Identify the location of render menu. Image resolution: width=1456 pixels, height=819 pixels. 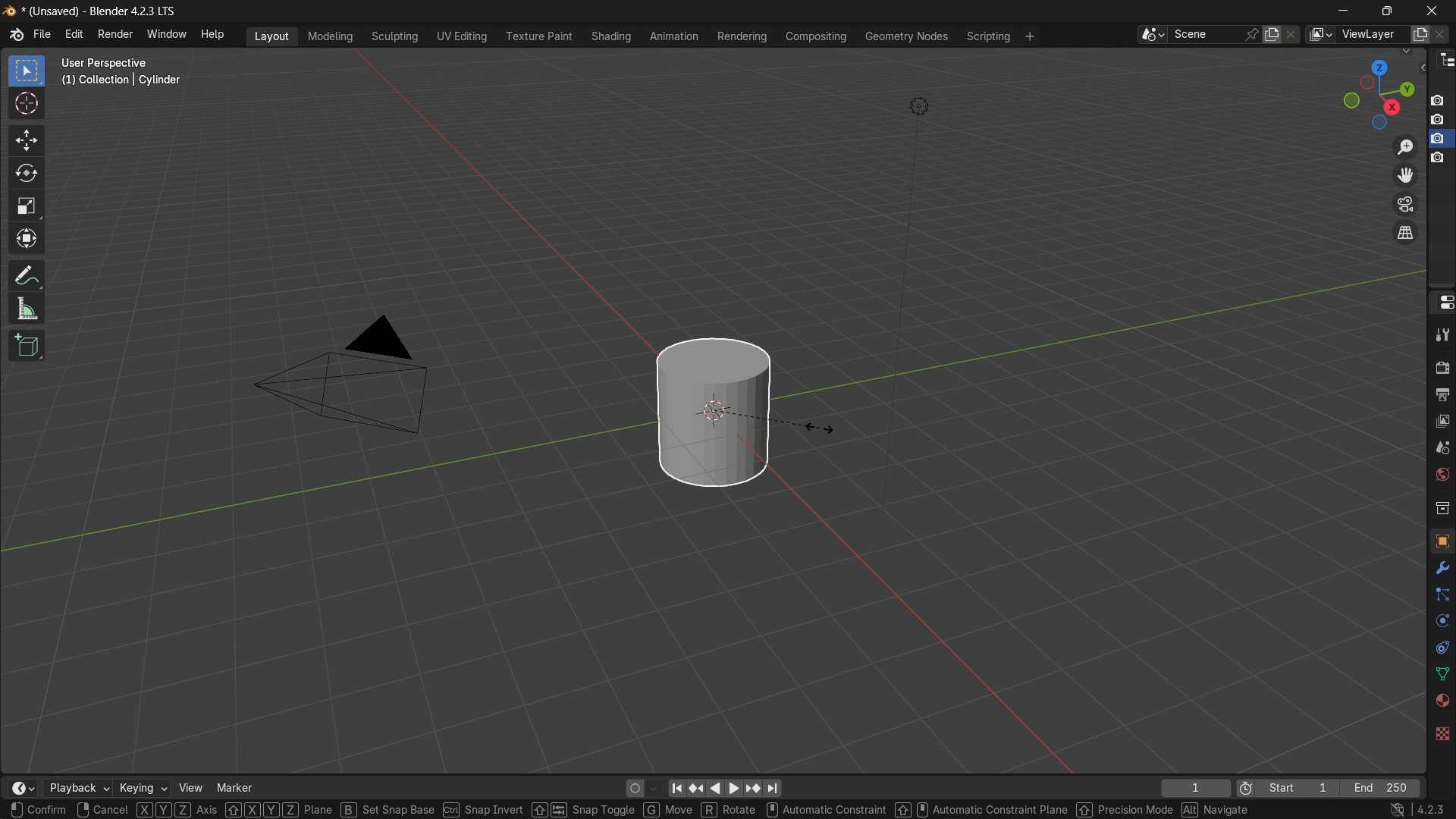
(115, 34).